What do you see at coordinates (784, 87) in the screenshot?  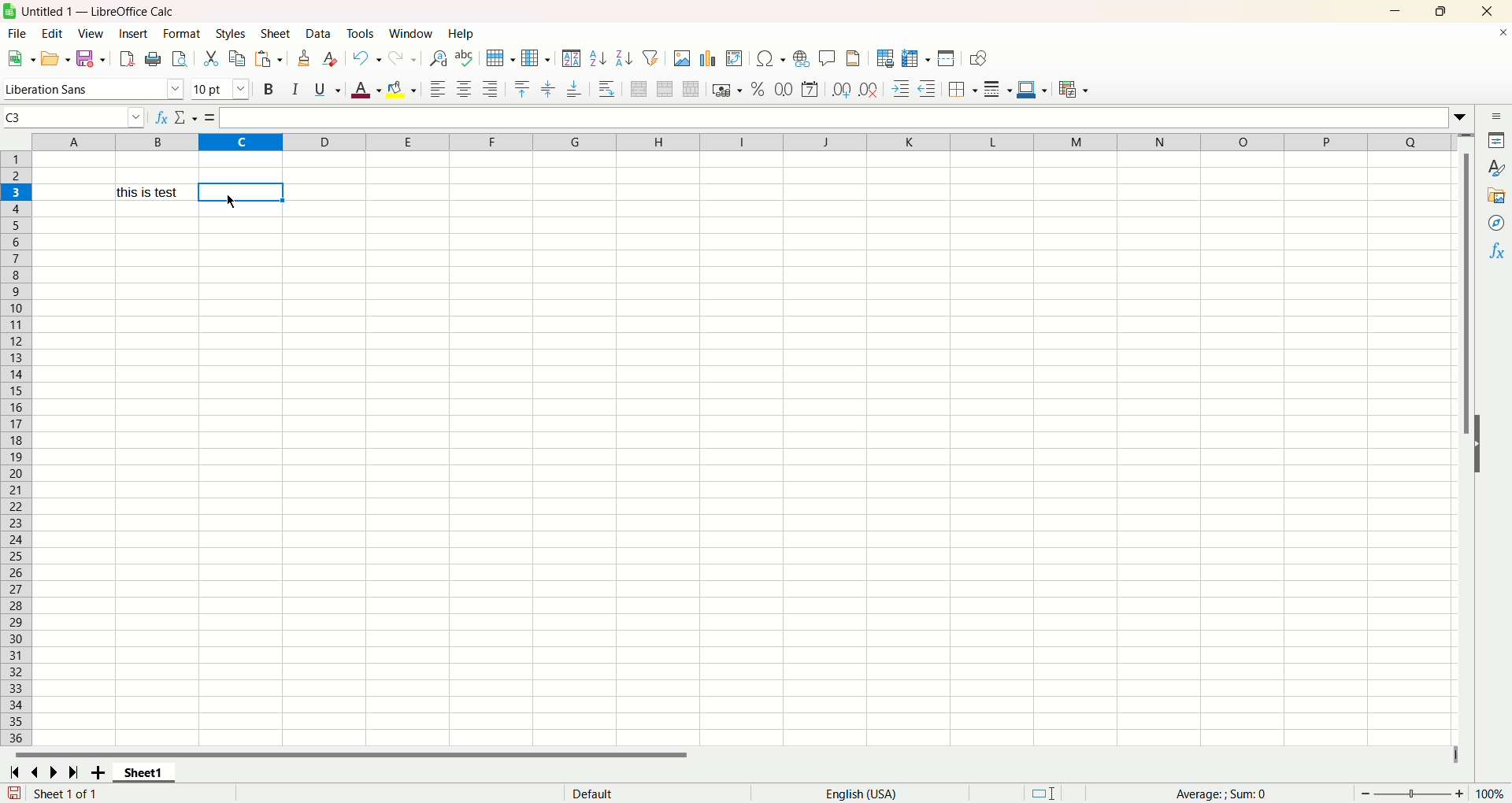 I see `format as number` at bounding box center [784, 87].